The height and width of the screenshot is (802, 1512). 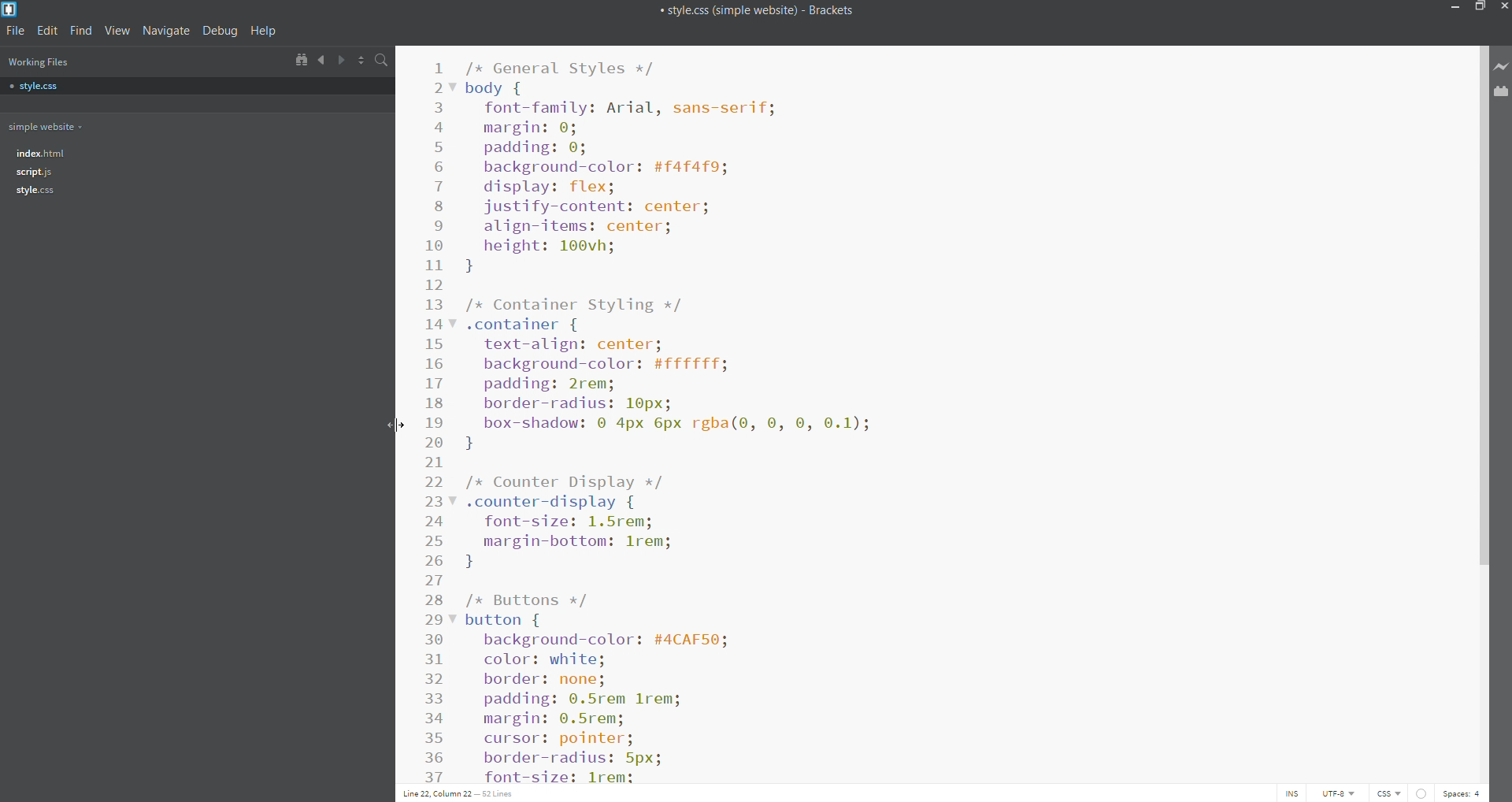 I want to click on navigate forward, so click(x=341, y=61).